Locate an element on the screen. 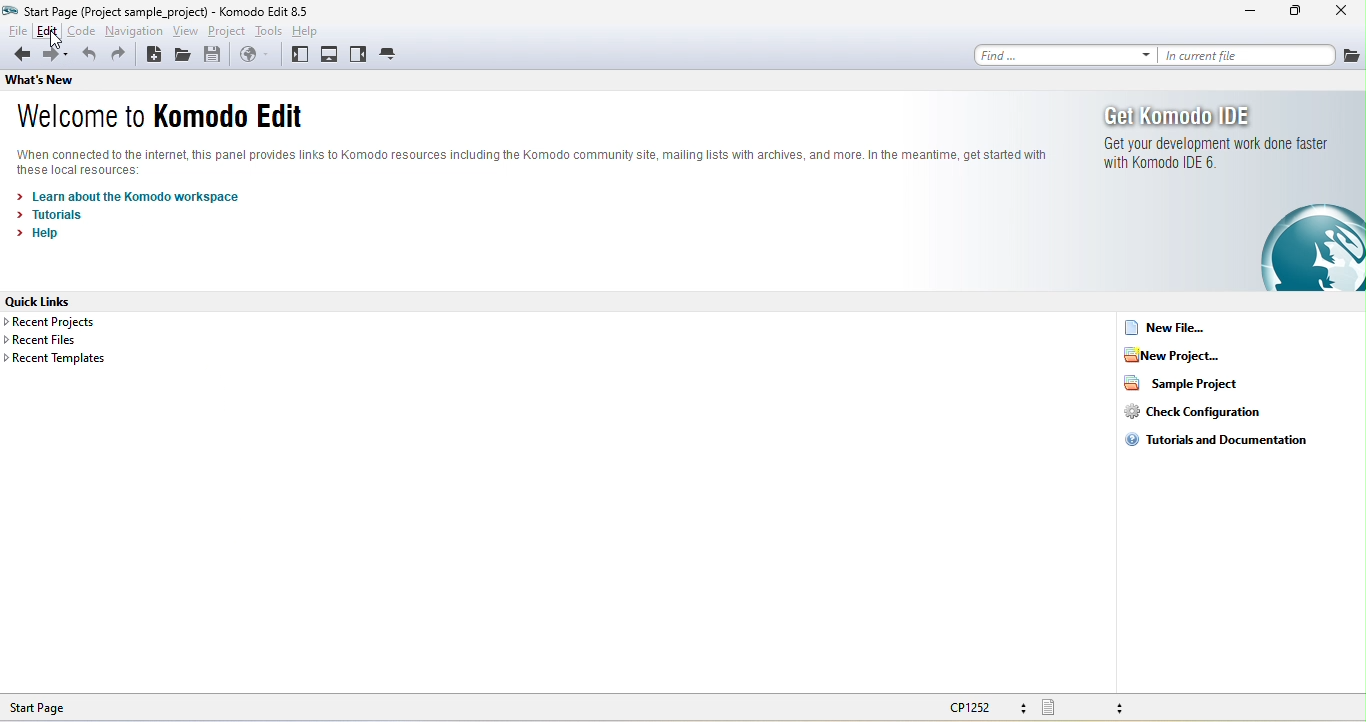  komodo edit logo is located at coordinates (1313, 247).